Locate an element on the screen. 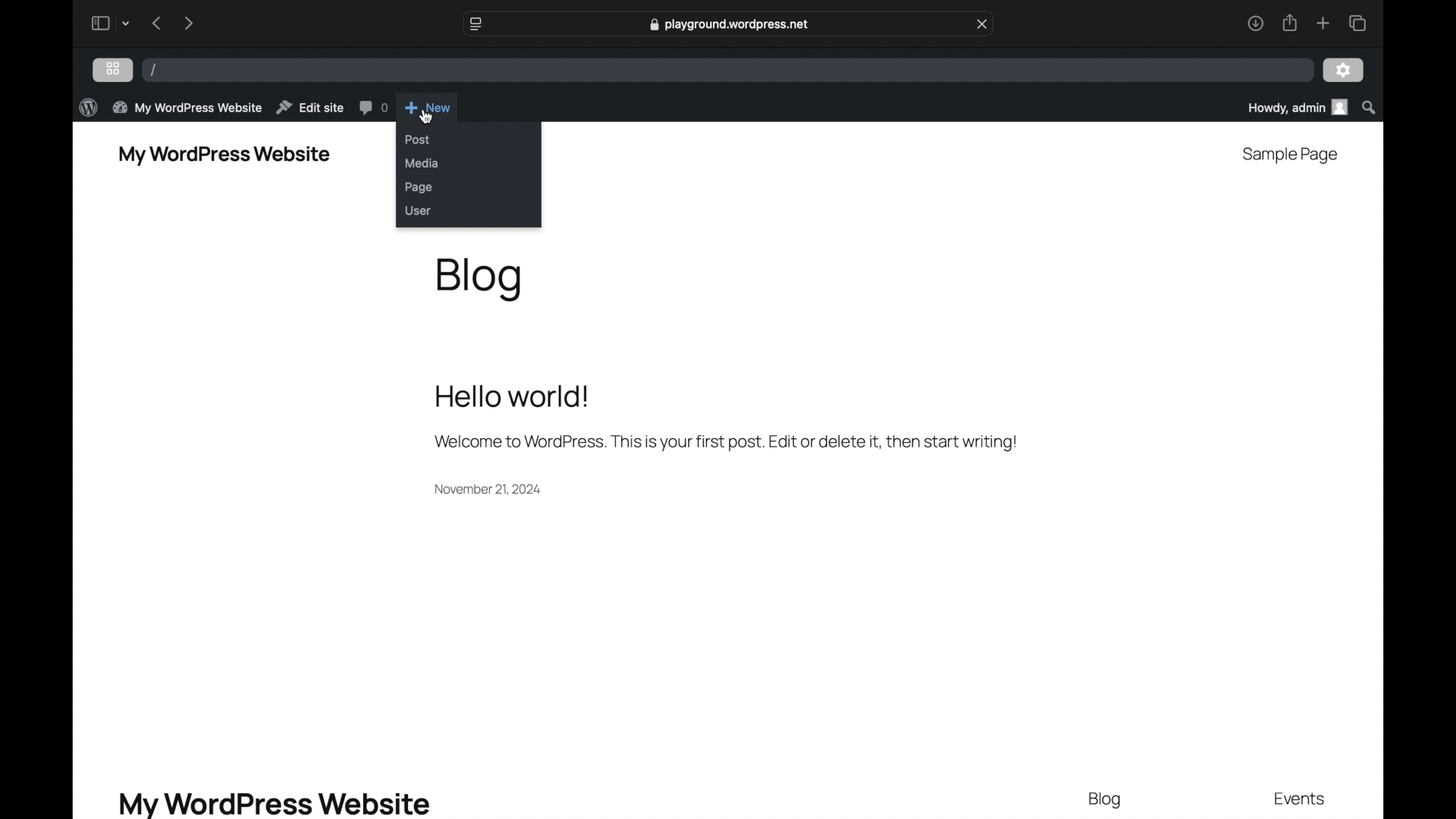  blog is located at coordinates (1106, 801).